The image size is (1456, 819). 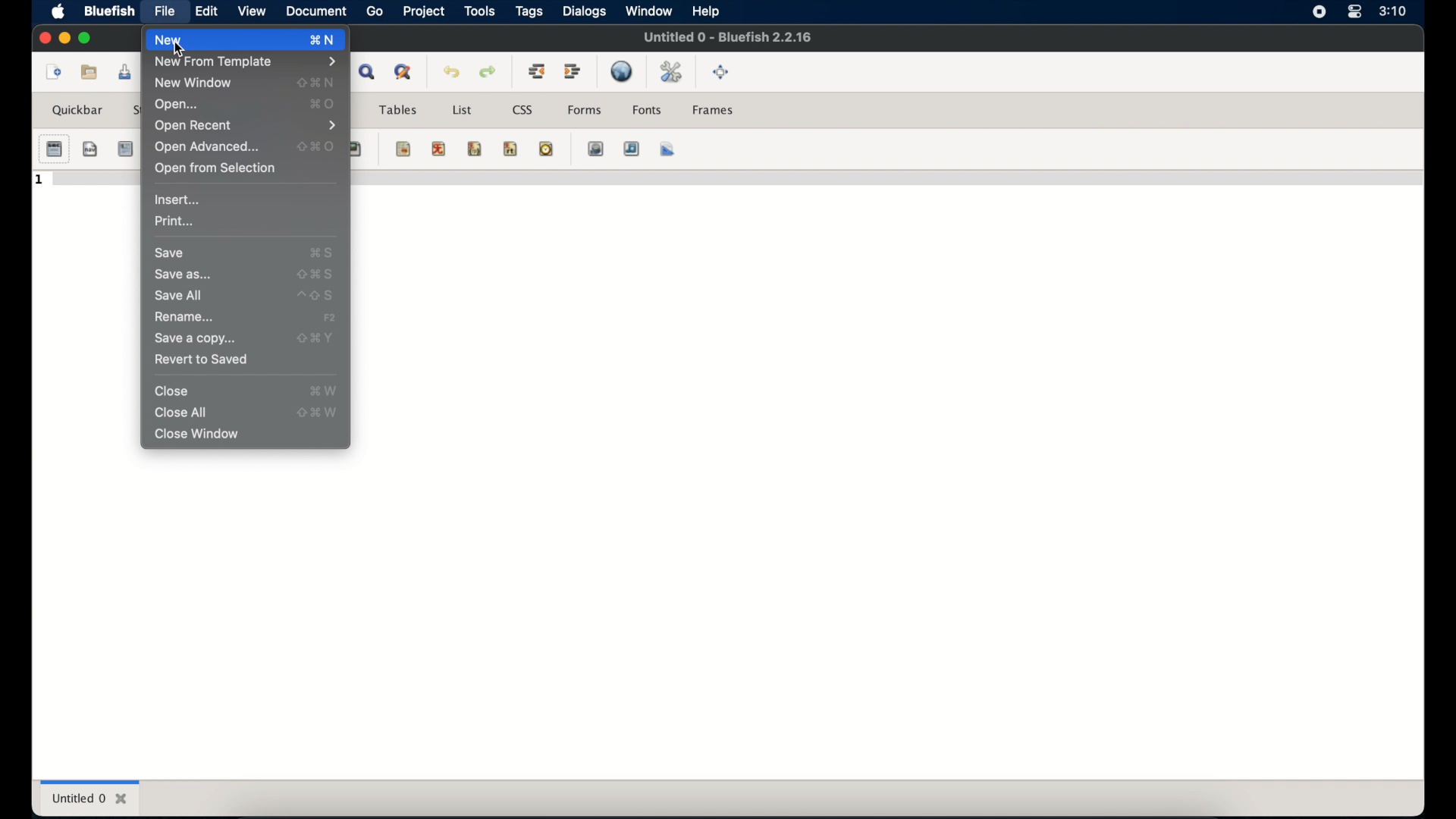 What do you see at coordinates (90, 71) in the screenshot?
I see `open` at bounding box center [90, 71].